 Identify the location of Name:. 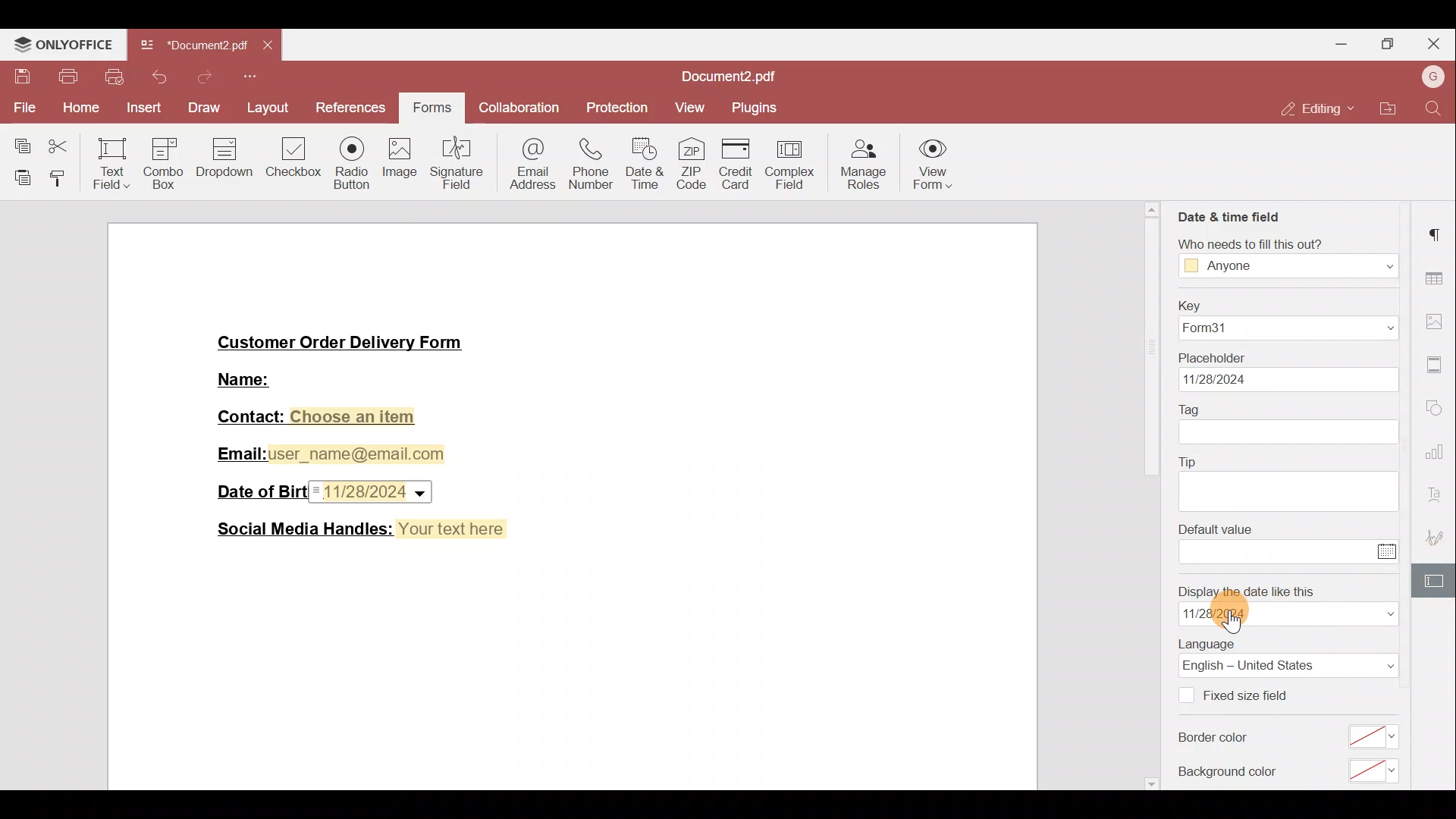
(247, 378).